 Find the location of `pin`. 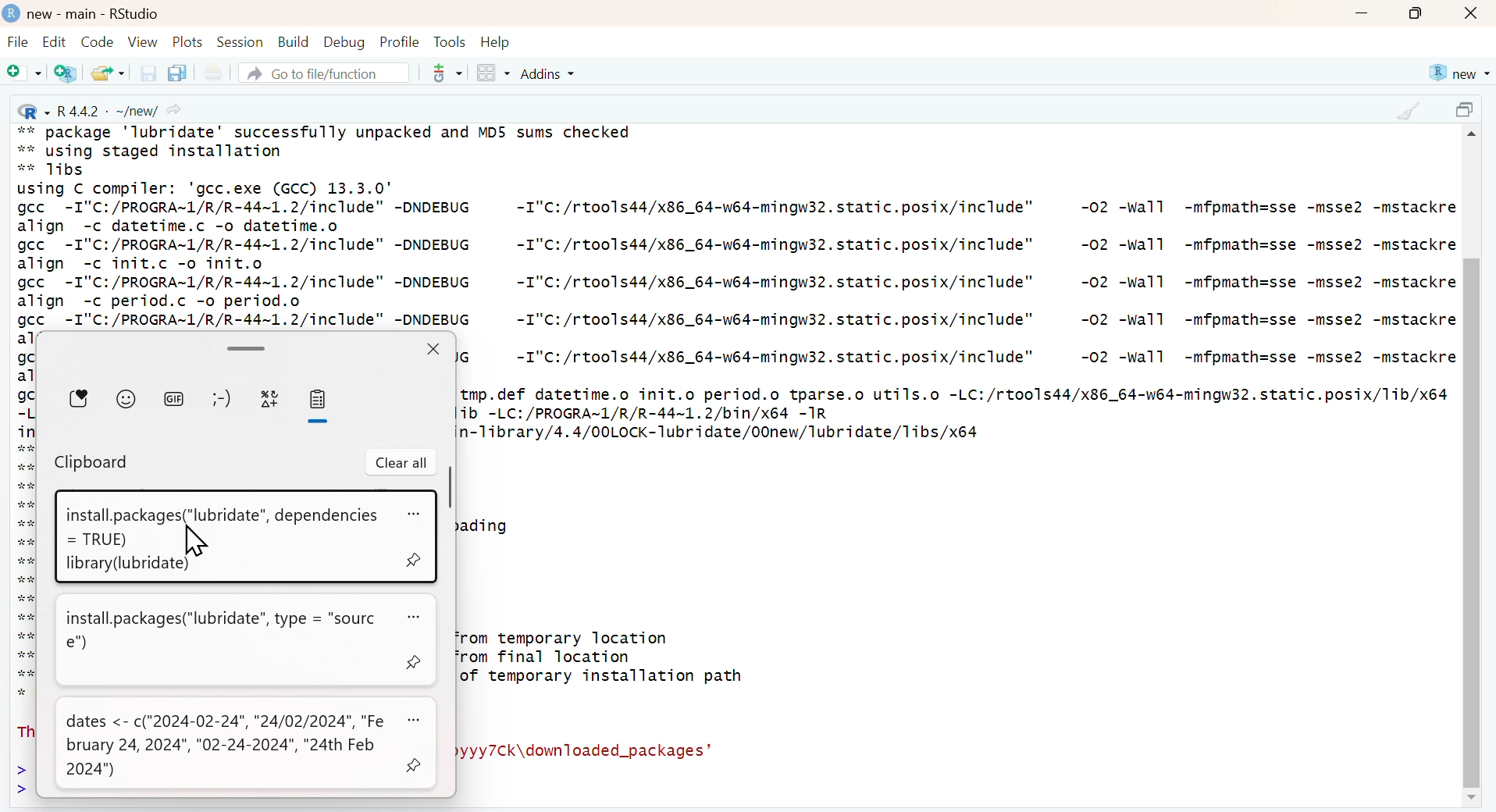

pin is located at coordinates (415, 763).